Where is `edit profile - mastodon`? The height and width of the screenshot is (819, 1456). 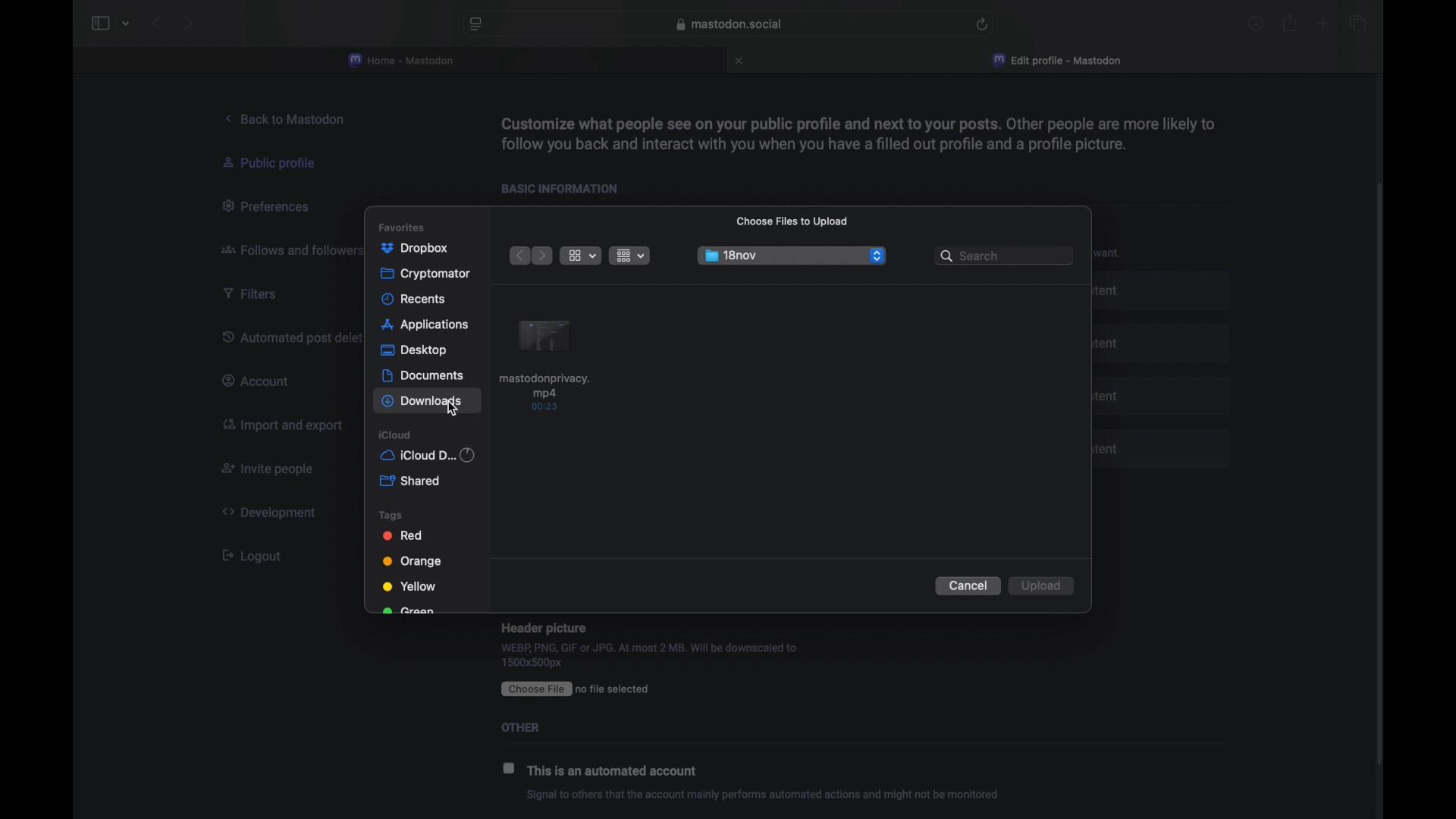
edit profile - mastodon is located at coordinates (1059, 61).